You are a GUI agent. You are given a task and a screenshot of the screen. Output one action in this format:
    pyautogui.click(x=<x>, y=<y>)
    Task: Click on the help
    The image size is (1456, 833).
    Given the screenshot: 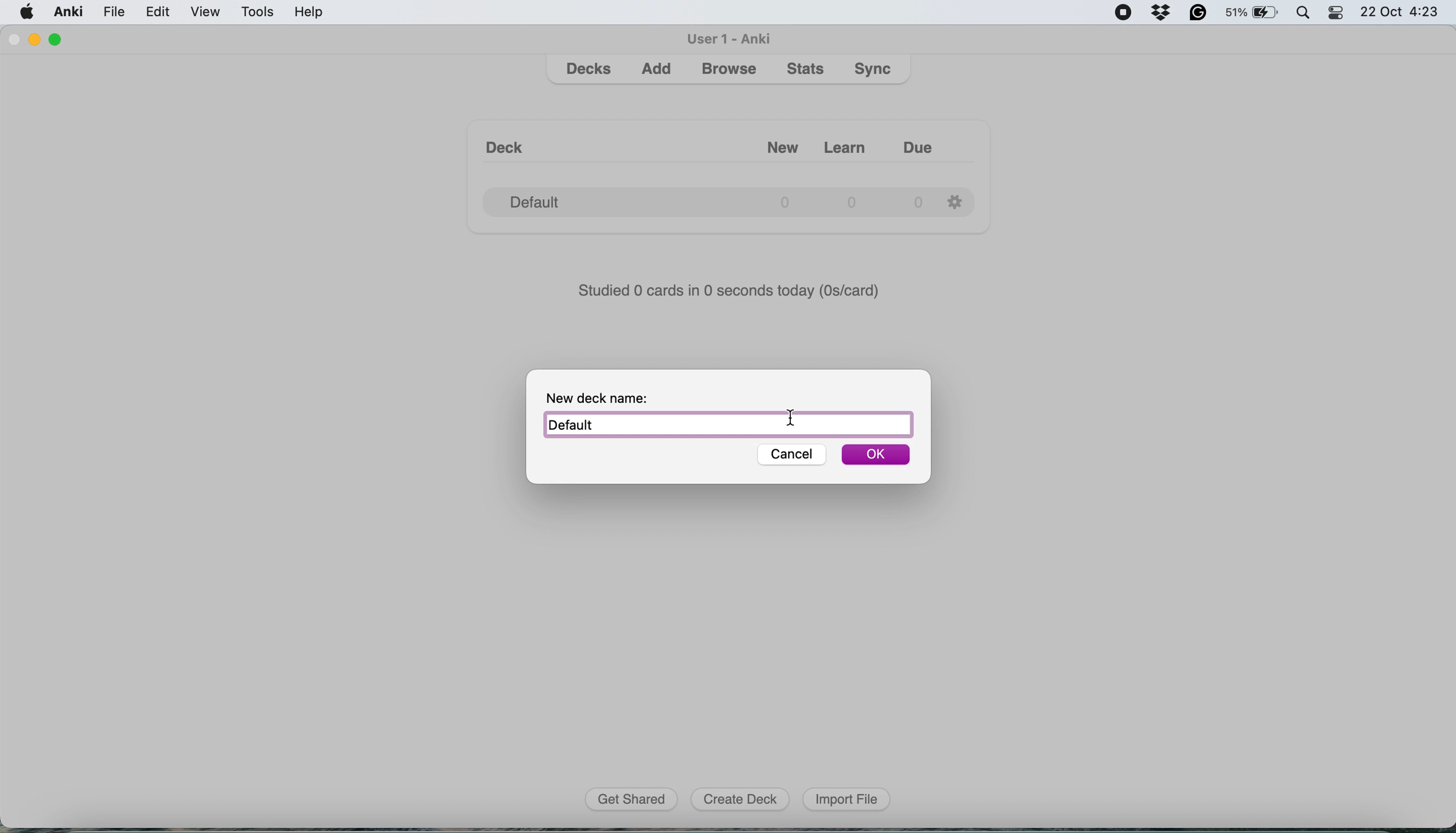 What is the action you would take?
    pyautogui.click(x=309, y=14)
    